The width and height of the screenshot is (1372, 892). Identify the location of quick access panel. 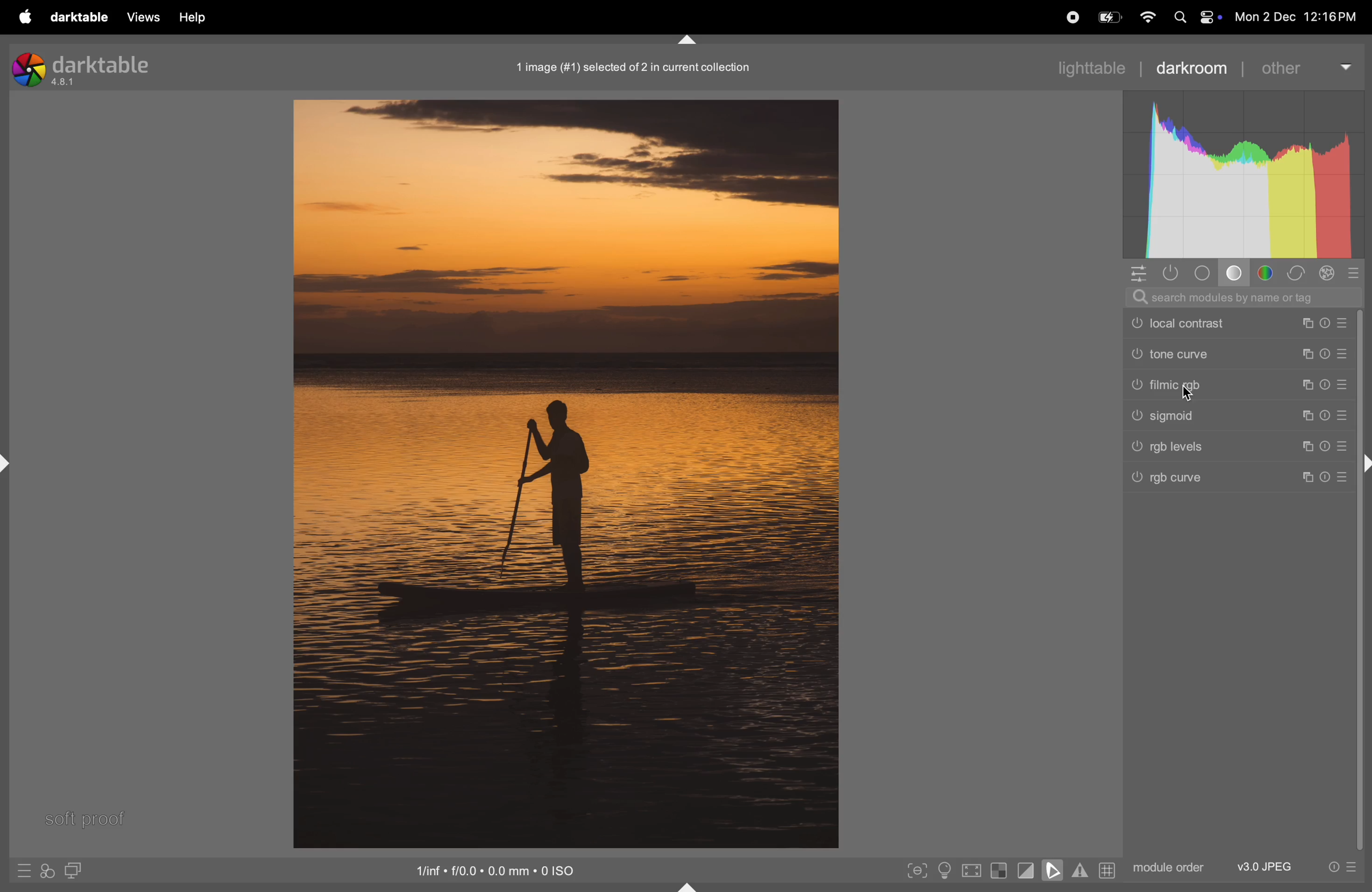
(1136, 273).